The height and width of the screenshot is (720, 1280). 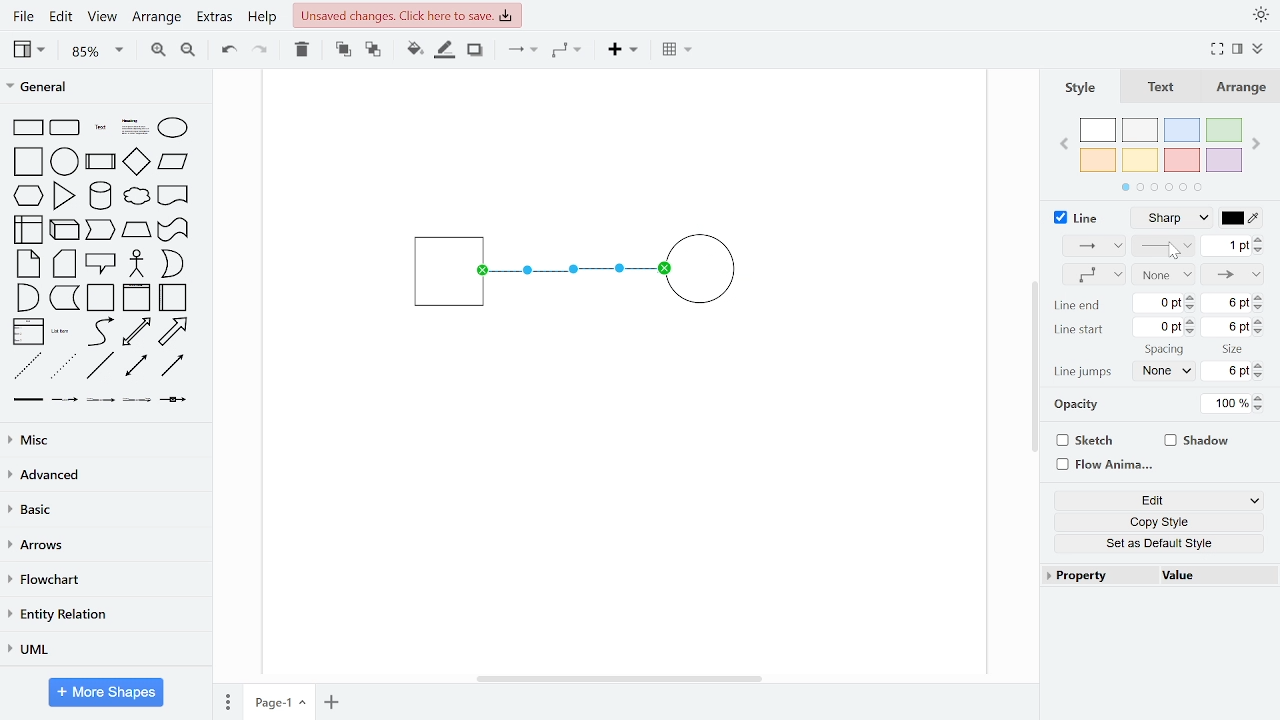 I want to click on table, so click(x=679, y=51).